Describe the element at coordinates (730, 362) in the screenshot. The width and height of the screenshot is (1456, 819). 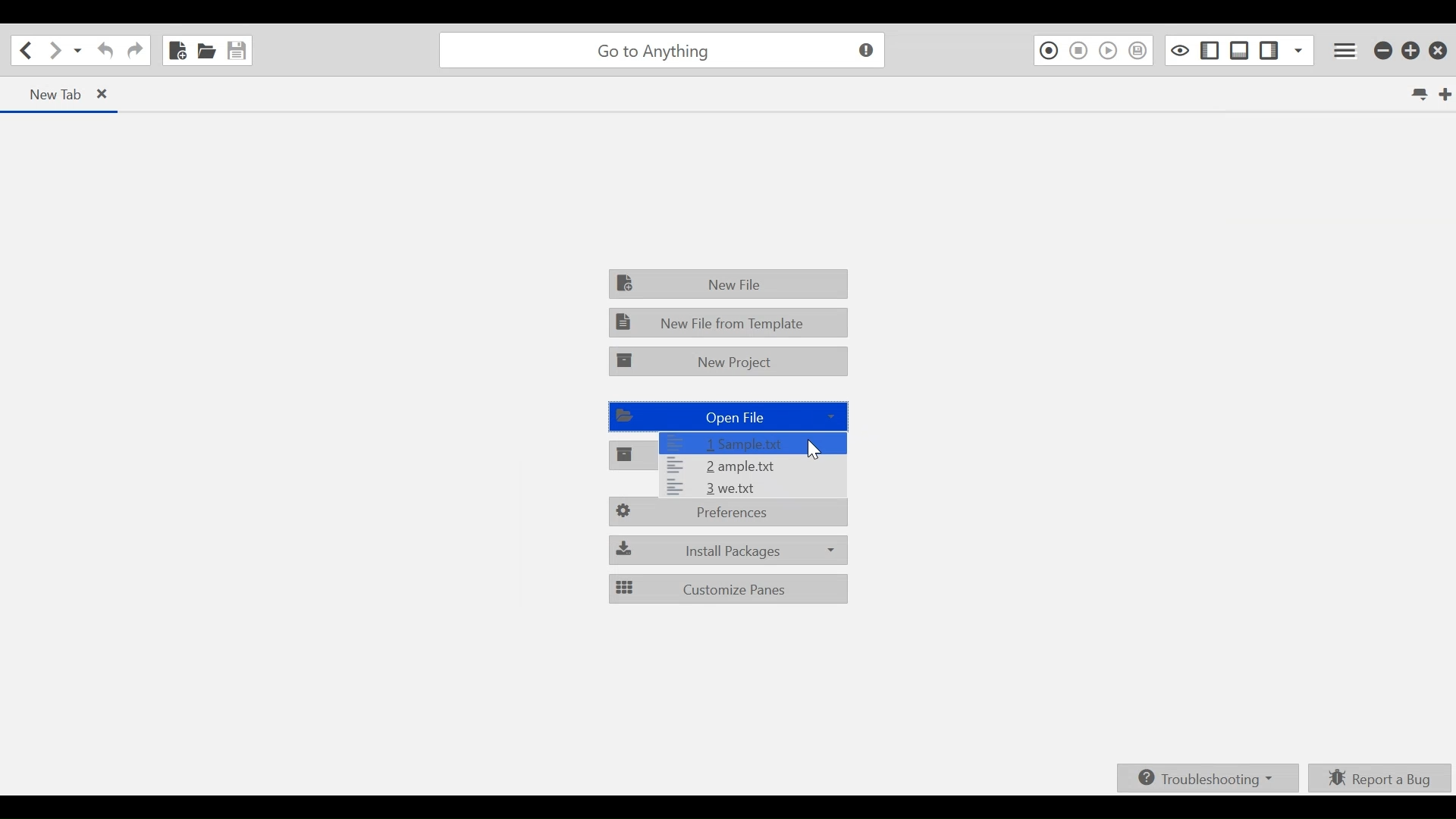
I see `New Project` at that location.